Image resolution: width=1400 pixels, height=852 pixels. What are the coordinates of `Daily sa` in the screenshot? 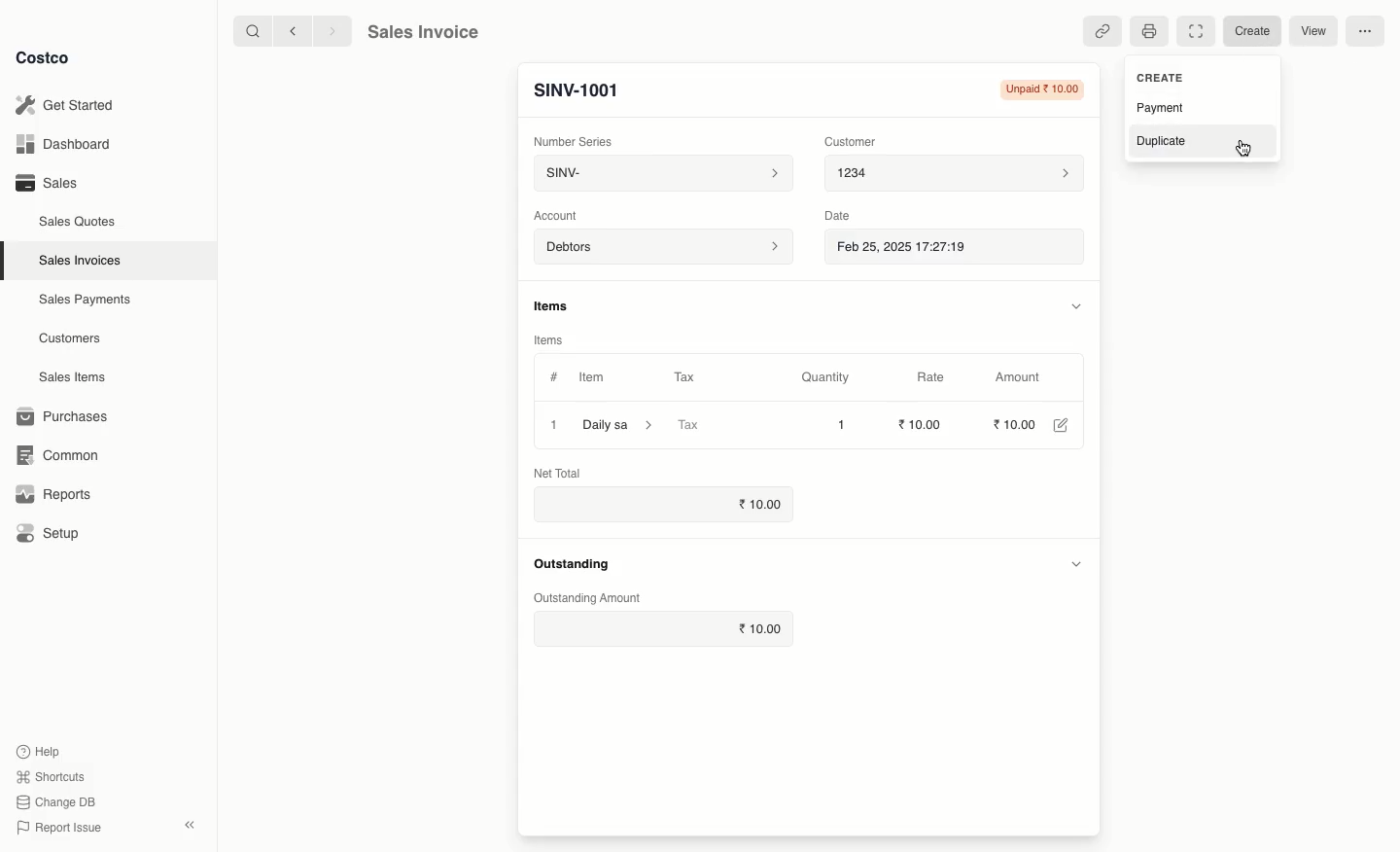 It's located at (621, 424).